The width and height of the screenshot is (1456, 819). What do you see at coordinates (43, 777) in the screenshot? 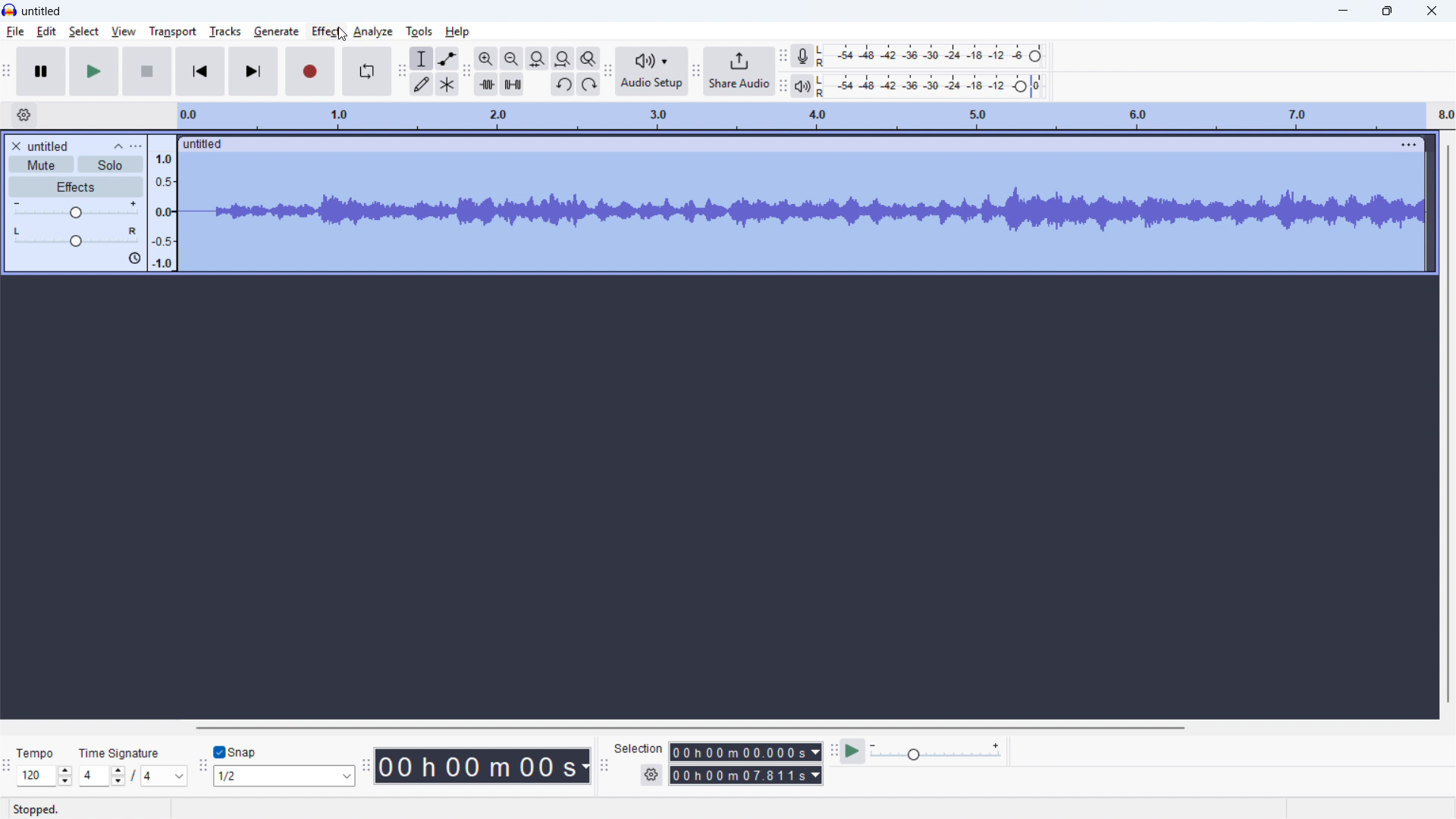
I see `Set tempo ` at bounding box center [43, 777].